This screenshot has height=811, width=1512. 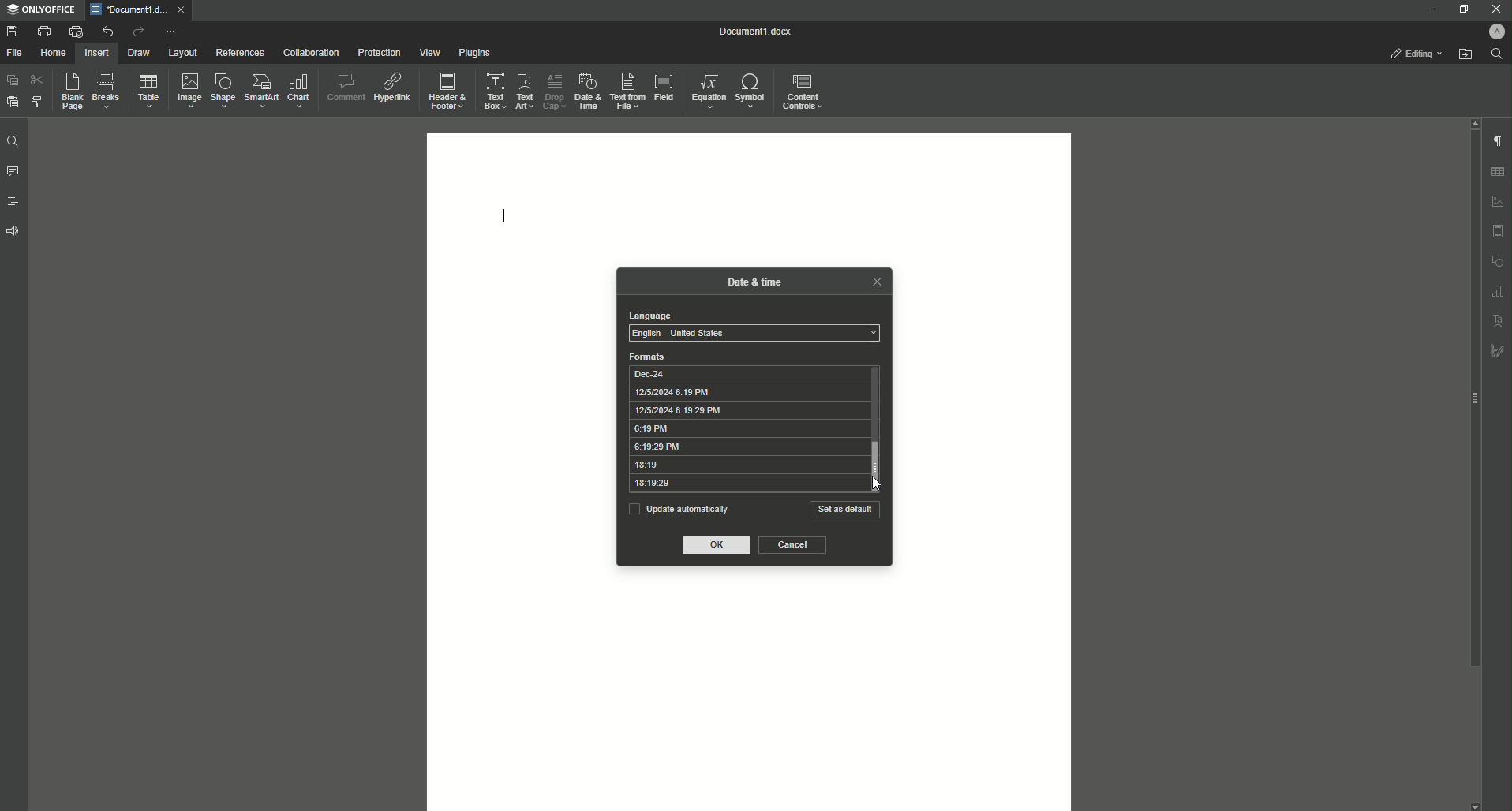 I want to click on 6:19 PM, so click(x=747, y=429).